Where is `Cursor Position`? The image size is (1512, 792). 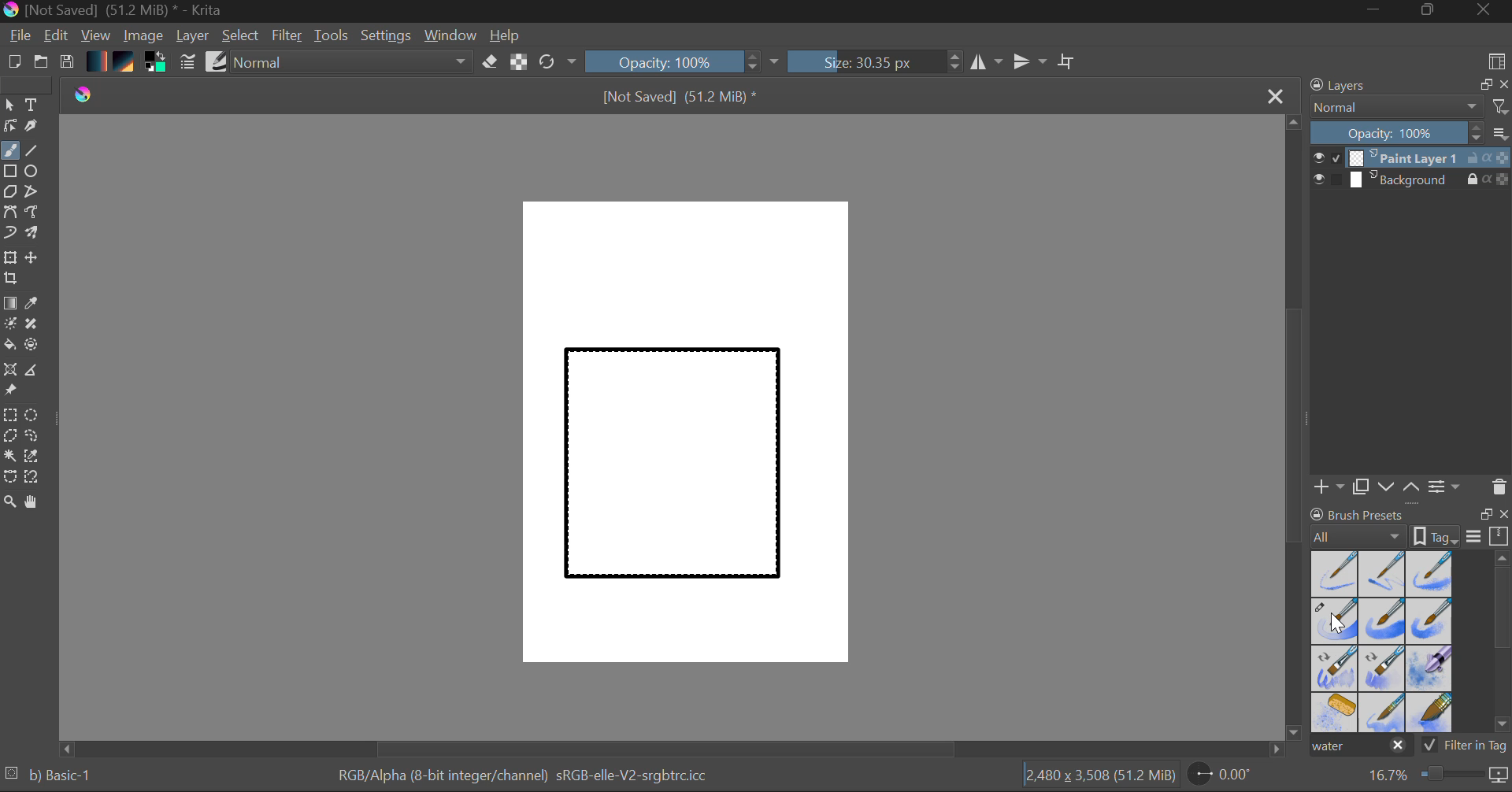 Cursor Position is located at coordinates (1337, 622).